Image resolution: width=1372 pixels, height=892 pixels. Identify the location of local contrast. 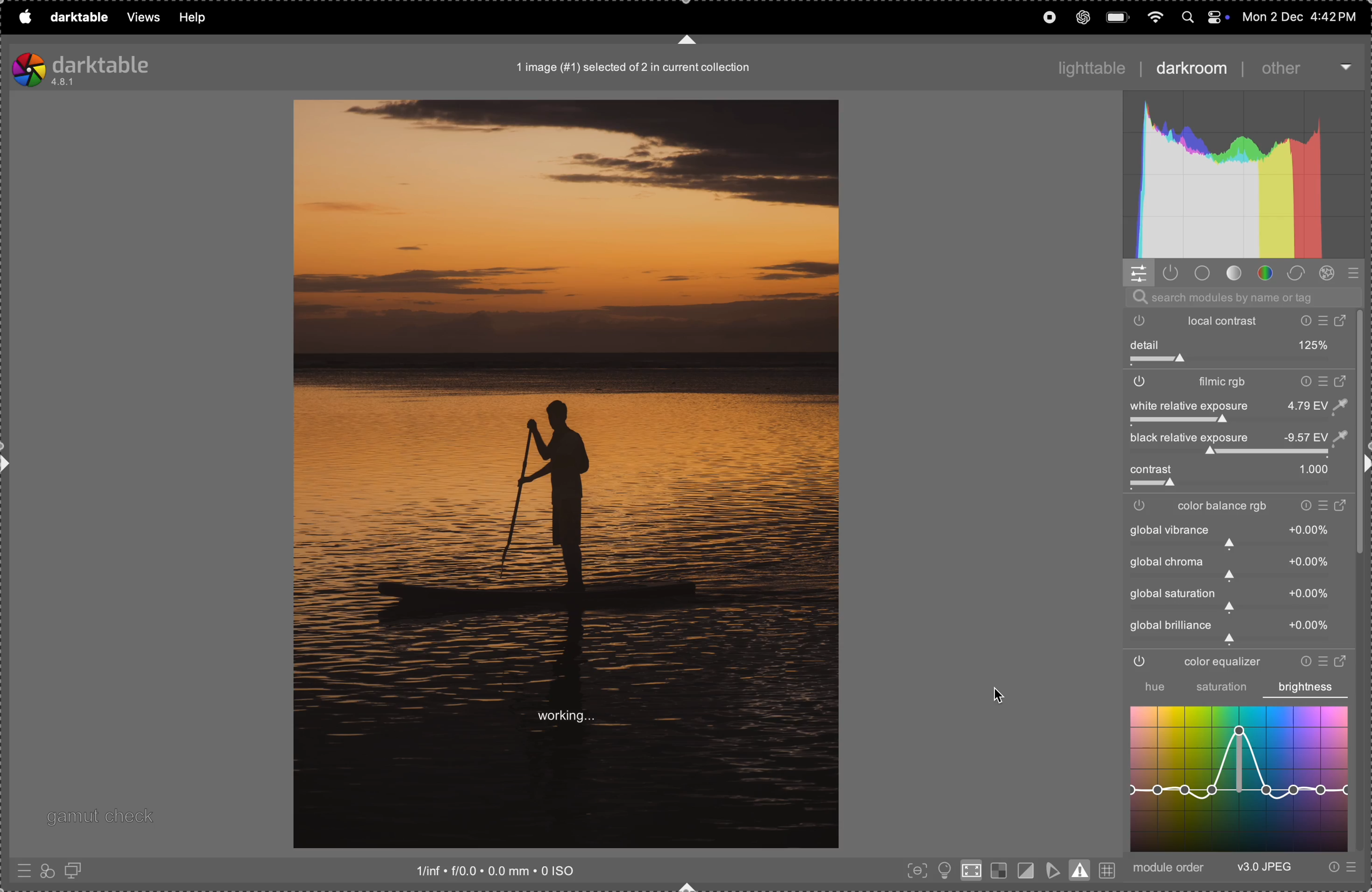
(1243, 320).